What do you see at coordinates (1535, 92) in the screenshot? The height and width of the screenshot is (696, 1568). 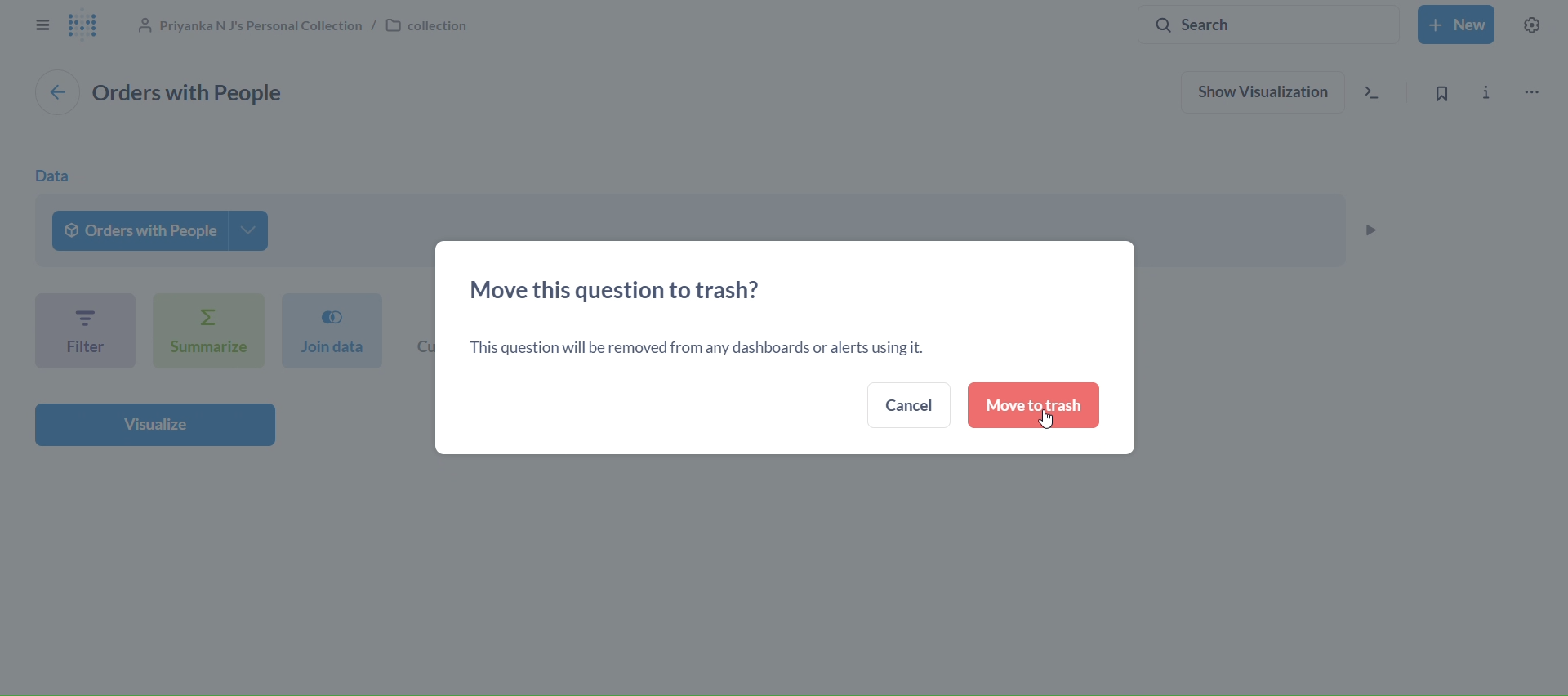 I see `move, trash, and more` at bounding box center [1535, 92].